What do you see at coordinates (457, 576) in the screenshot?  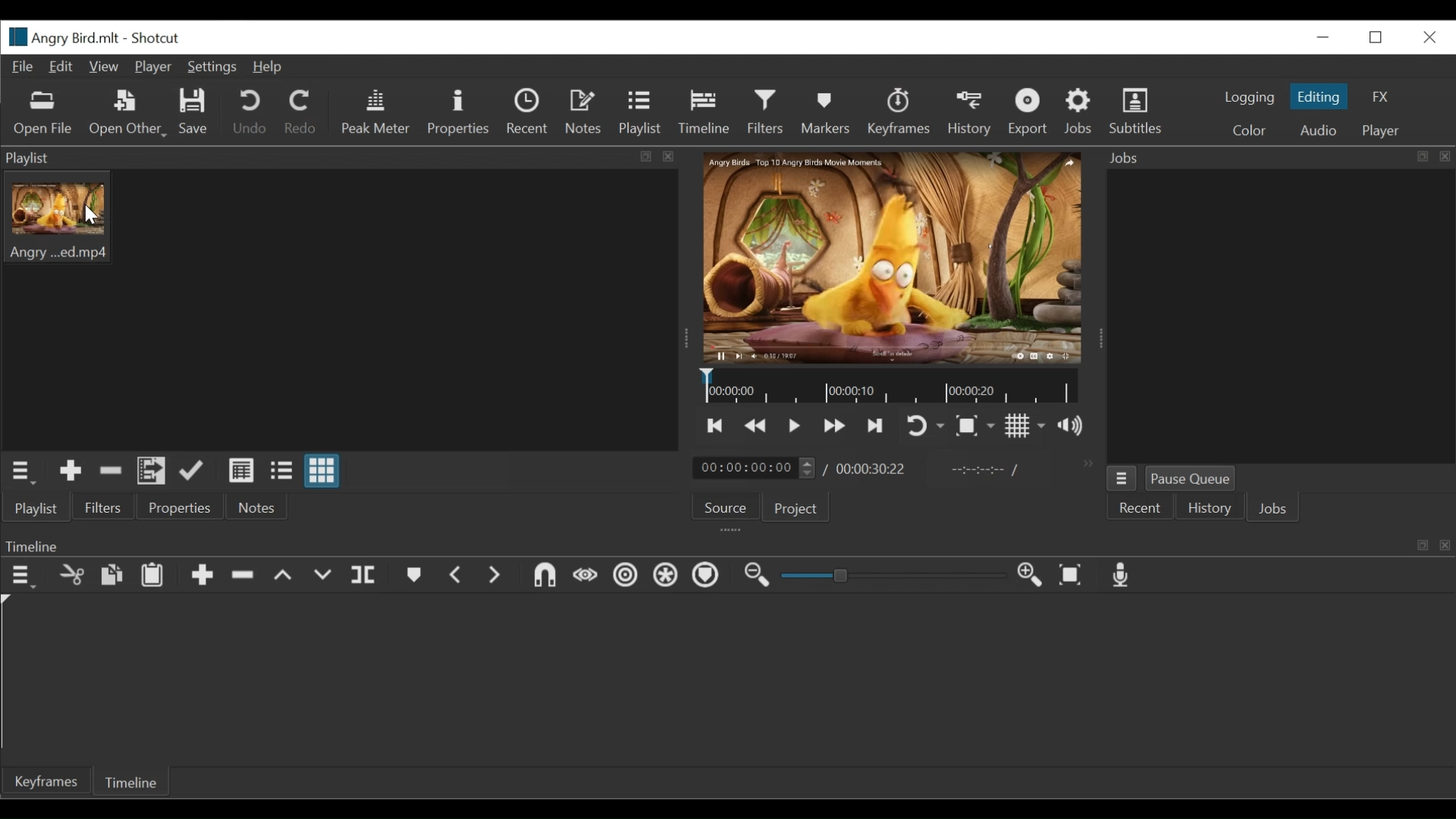 I see `Previous marker` at bounding box center [457, 576].